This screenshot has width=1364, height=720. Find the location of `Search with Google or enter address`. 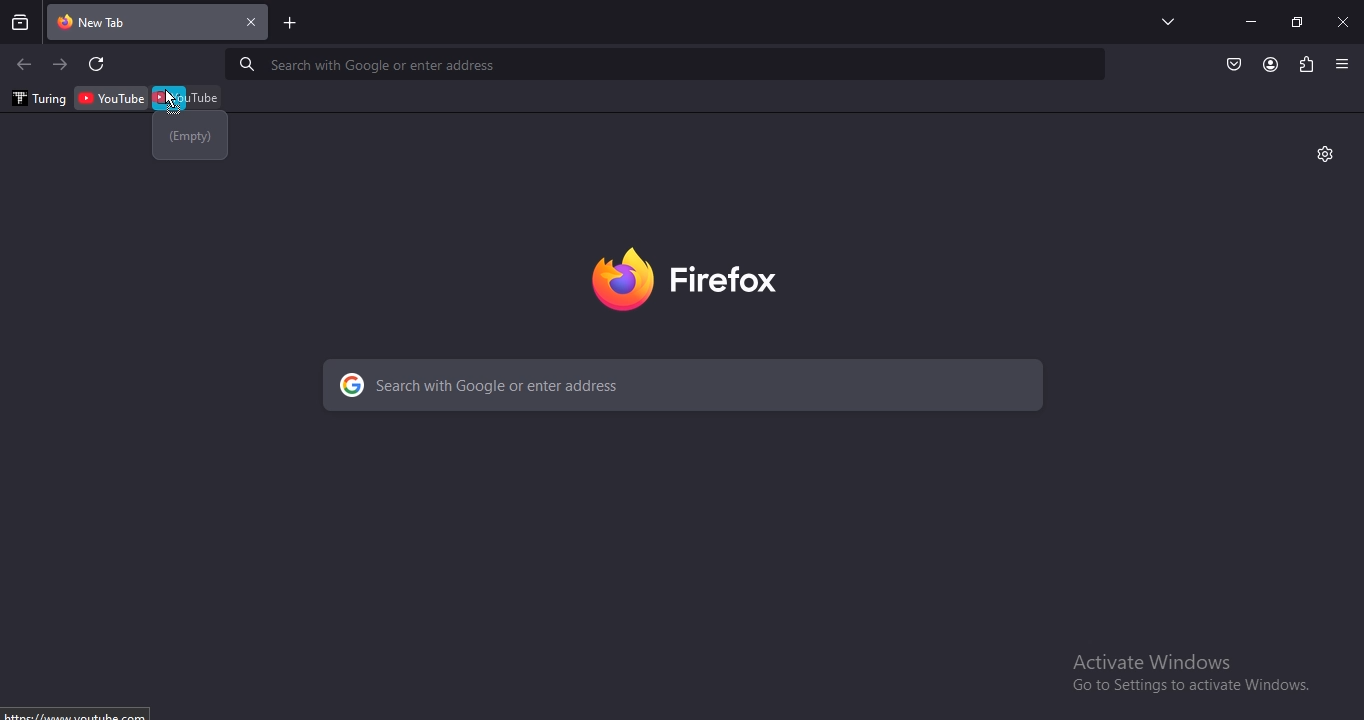

Search with Google or enter address is located at coordinates (365, 66).